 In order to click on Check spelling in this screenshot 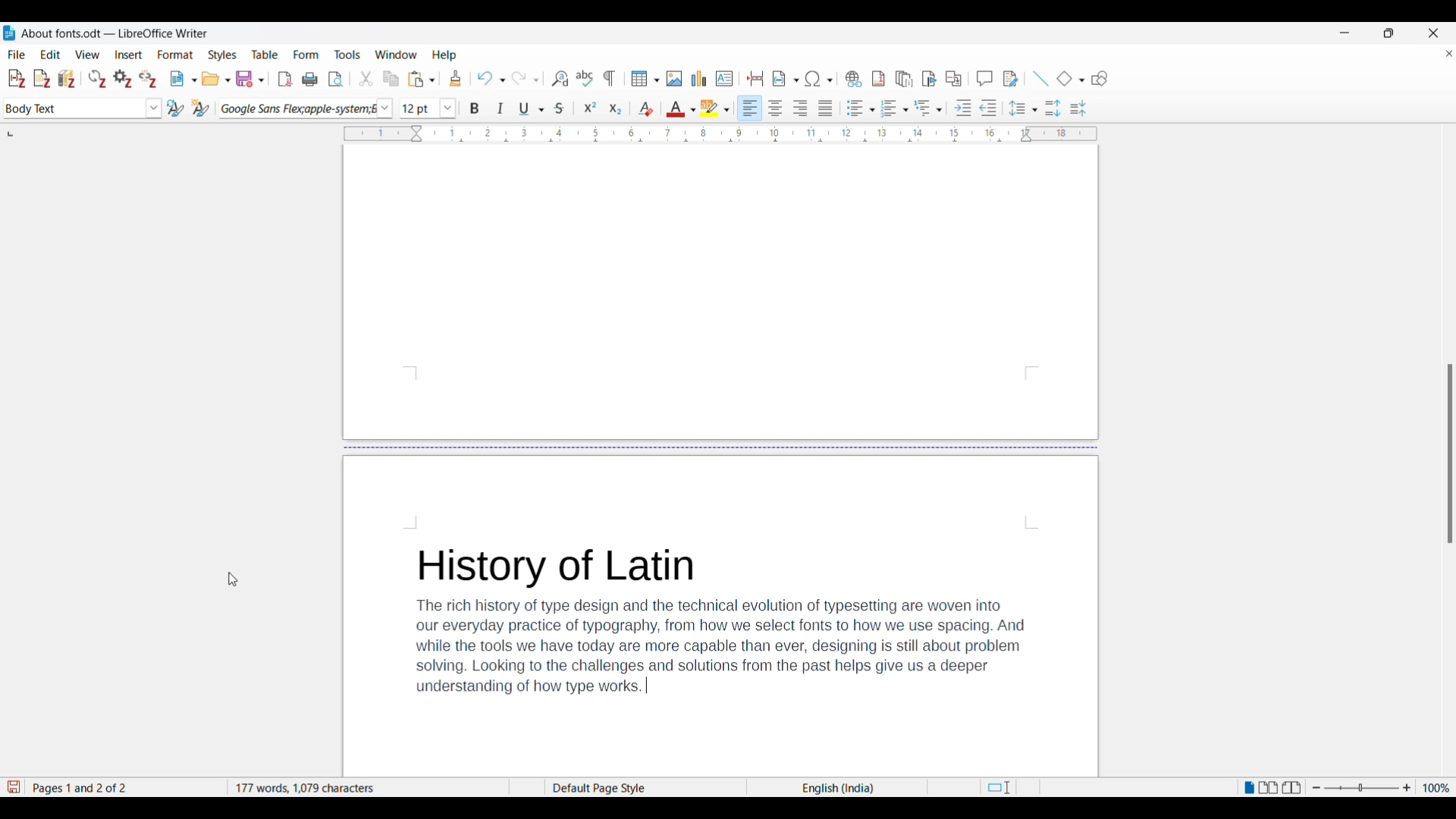, I will do `click(584, 78)`.